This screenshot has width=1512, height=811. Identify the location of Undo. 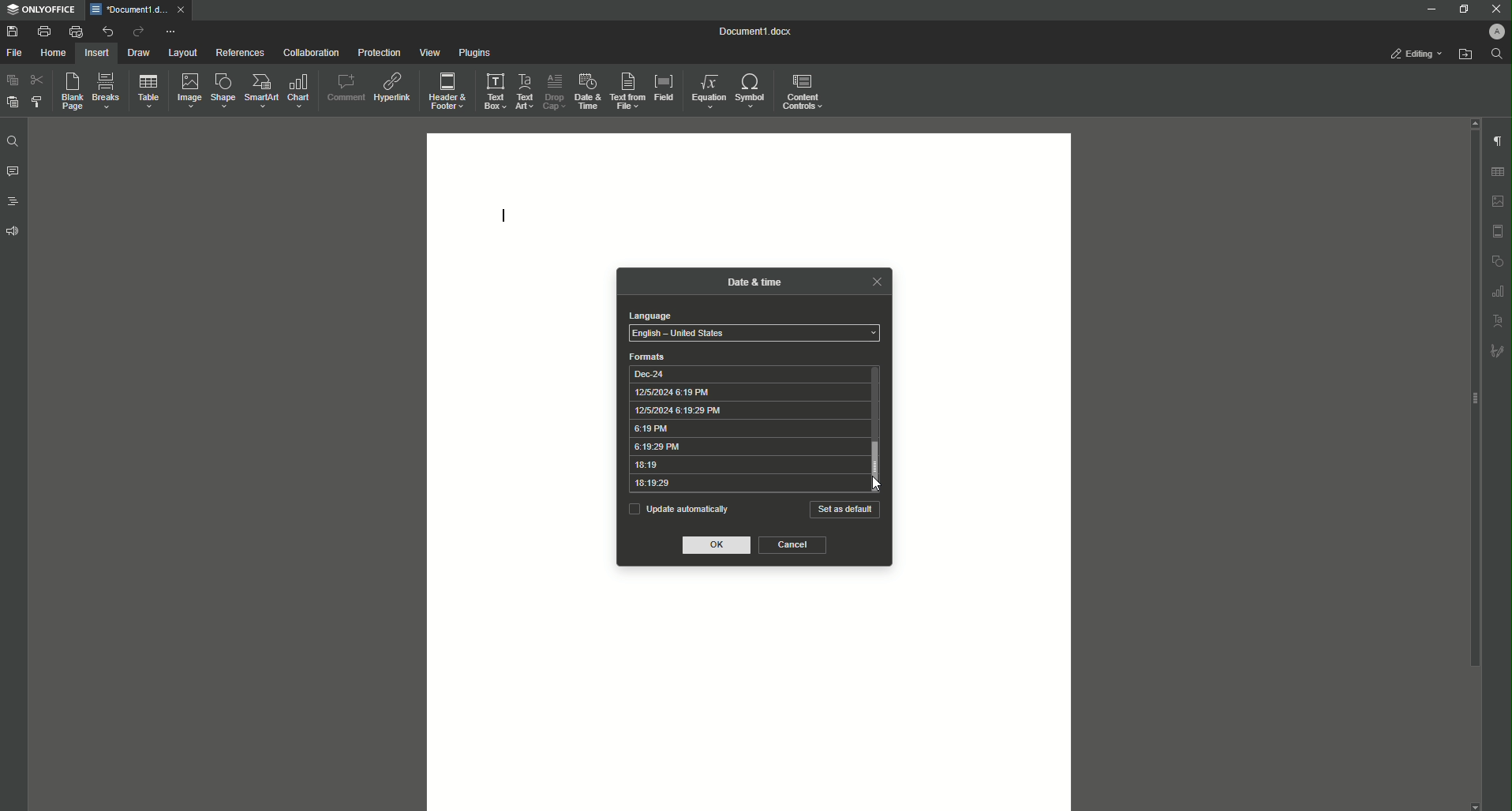
(106, 31).